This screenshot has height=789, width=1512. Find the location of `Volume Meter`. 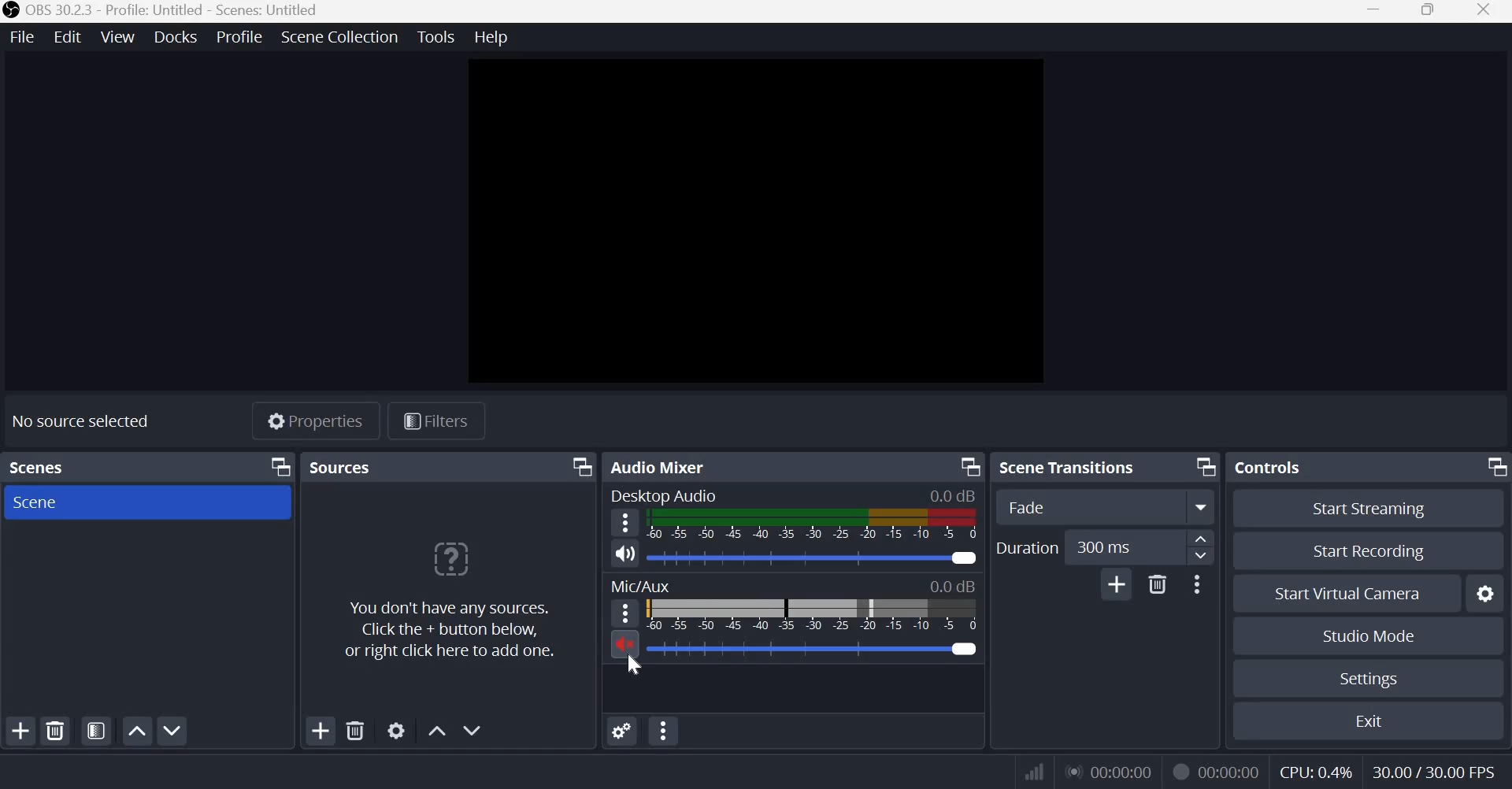

Volume Meter is located at coordinates (811, 524).